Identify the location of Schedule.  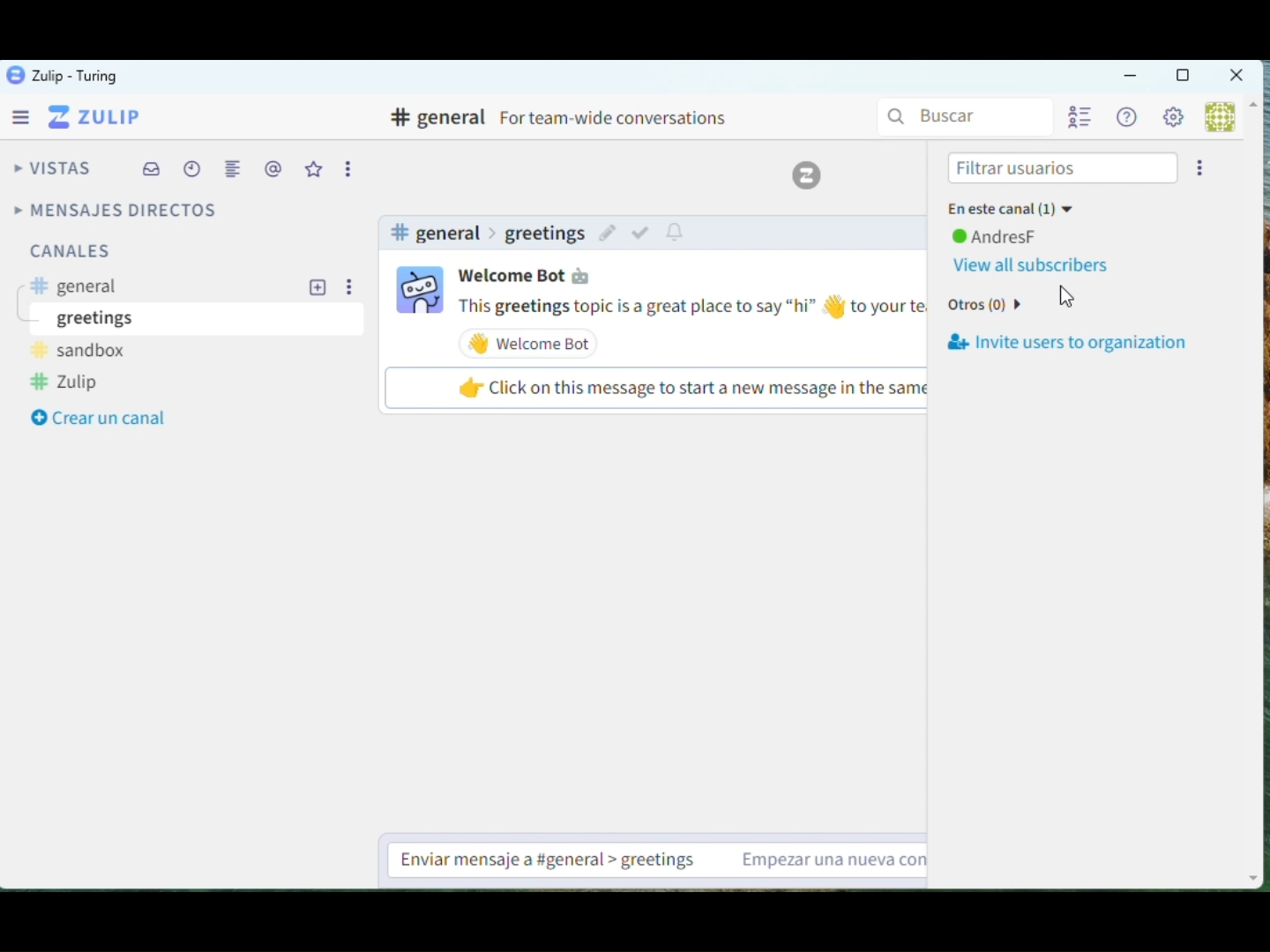
(191, 167).